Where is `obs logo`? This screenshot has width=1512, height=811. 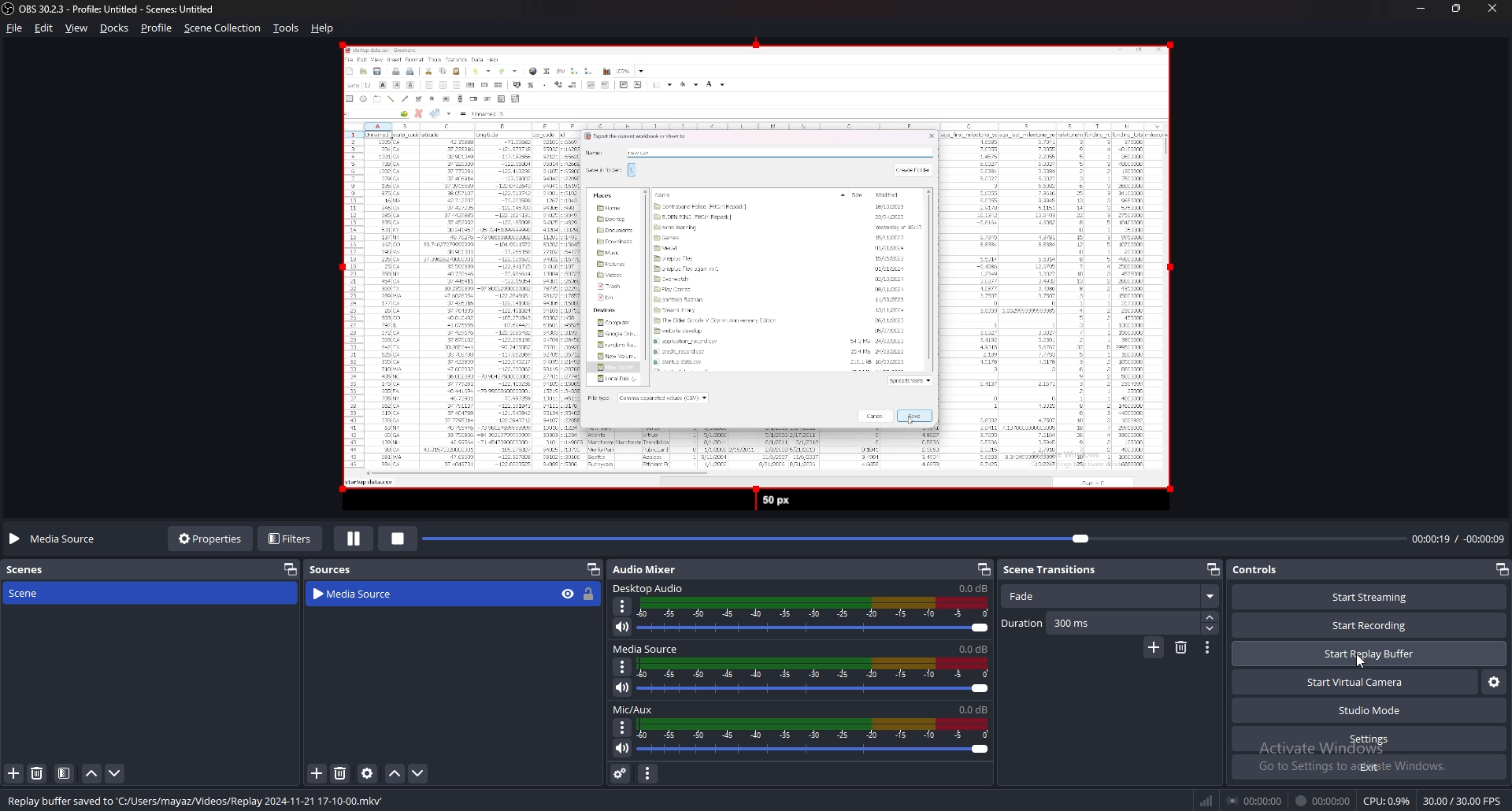
obs logo is located at coordinates (9, 9).